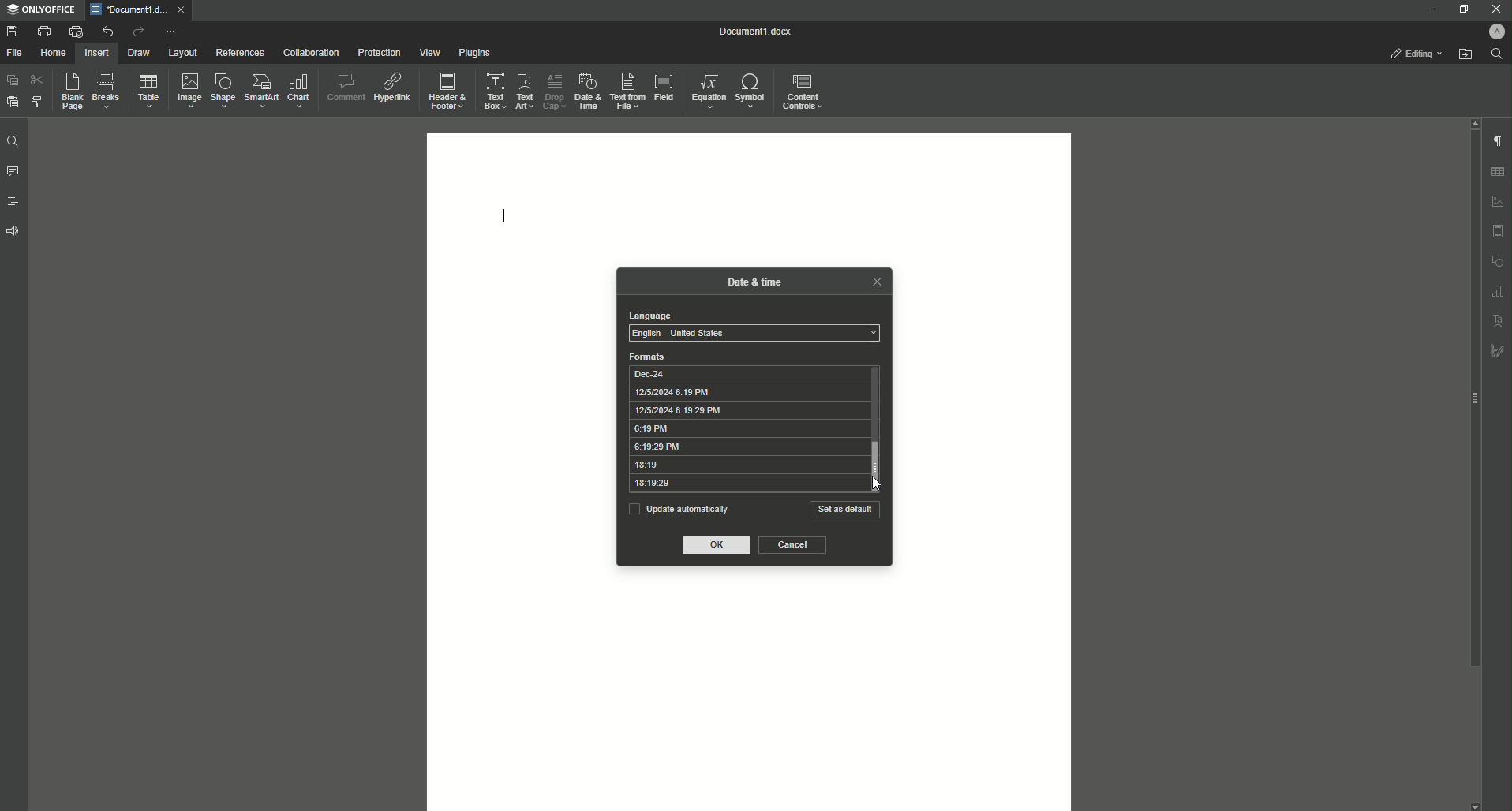 This screenshot has height=811, width=1512. What do you see at coordinates (447, 88) in the screenshot?
I see `Header and Footer` at bounding box center [447, 88].